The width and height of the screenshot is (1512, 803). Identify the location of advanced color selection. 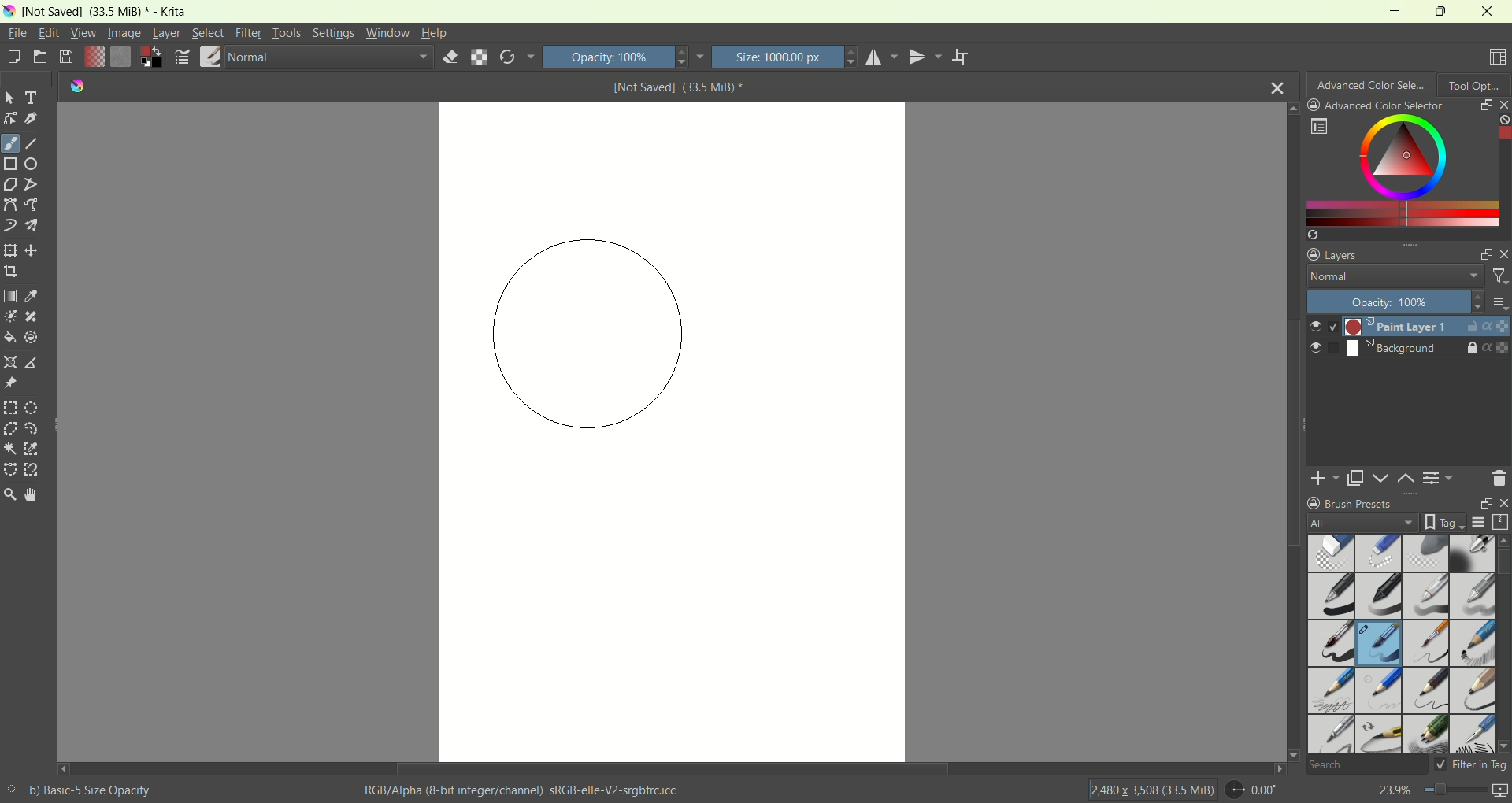
(1372, 83).